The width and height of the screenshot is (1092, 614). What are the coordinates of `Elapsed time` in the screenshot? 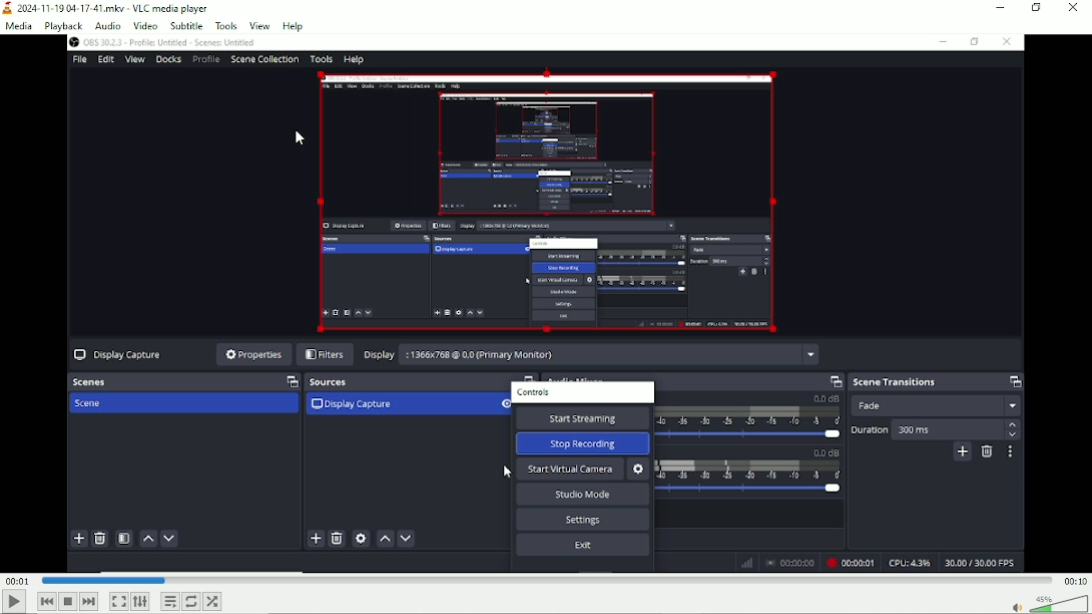 It's located at (18, 582).